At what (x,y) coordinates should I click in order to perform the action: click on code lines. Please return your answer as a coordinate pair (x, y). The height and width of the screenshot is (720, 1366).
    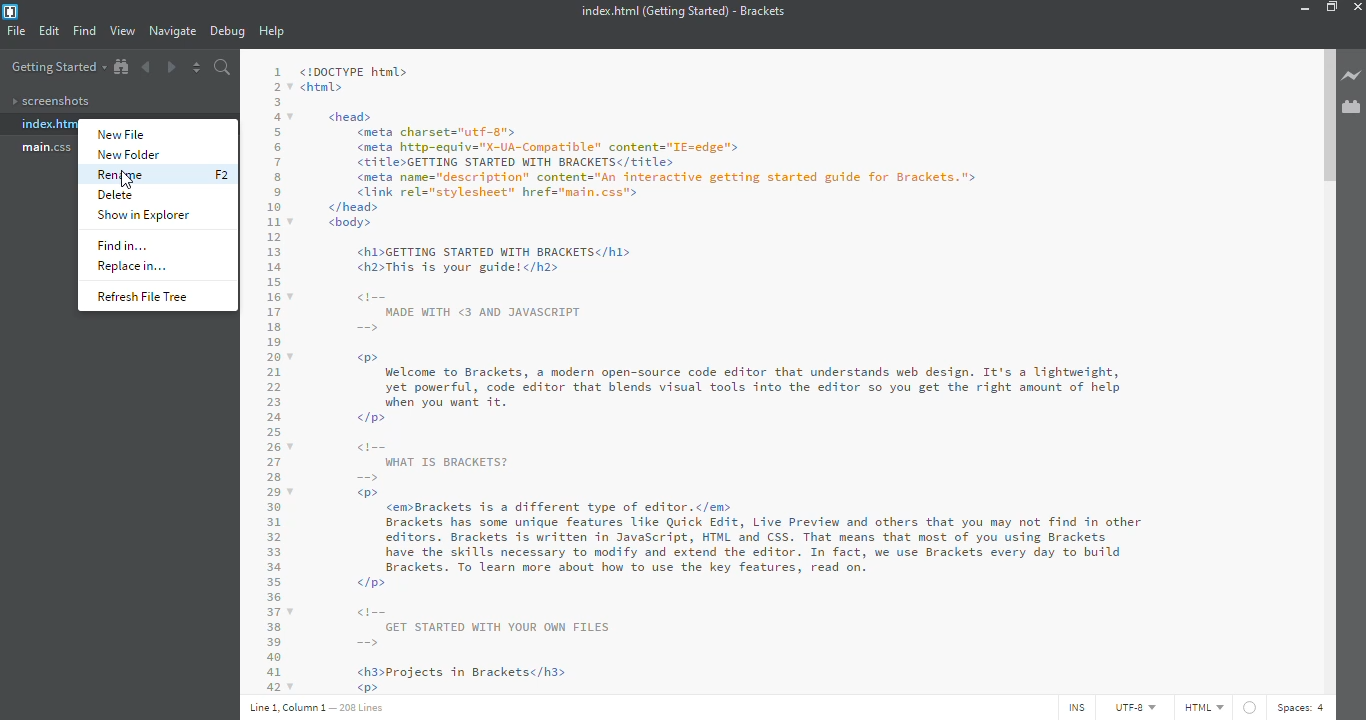
    Looking at the image, I should click on (270, 374).